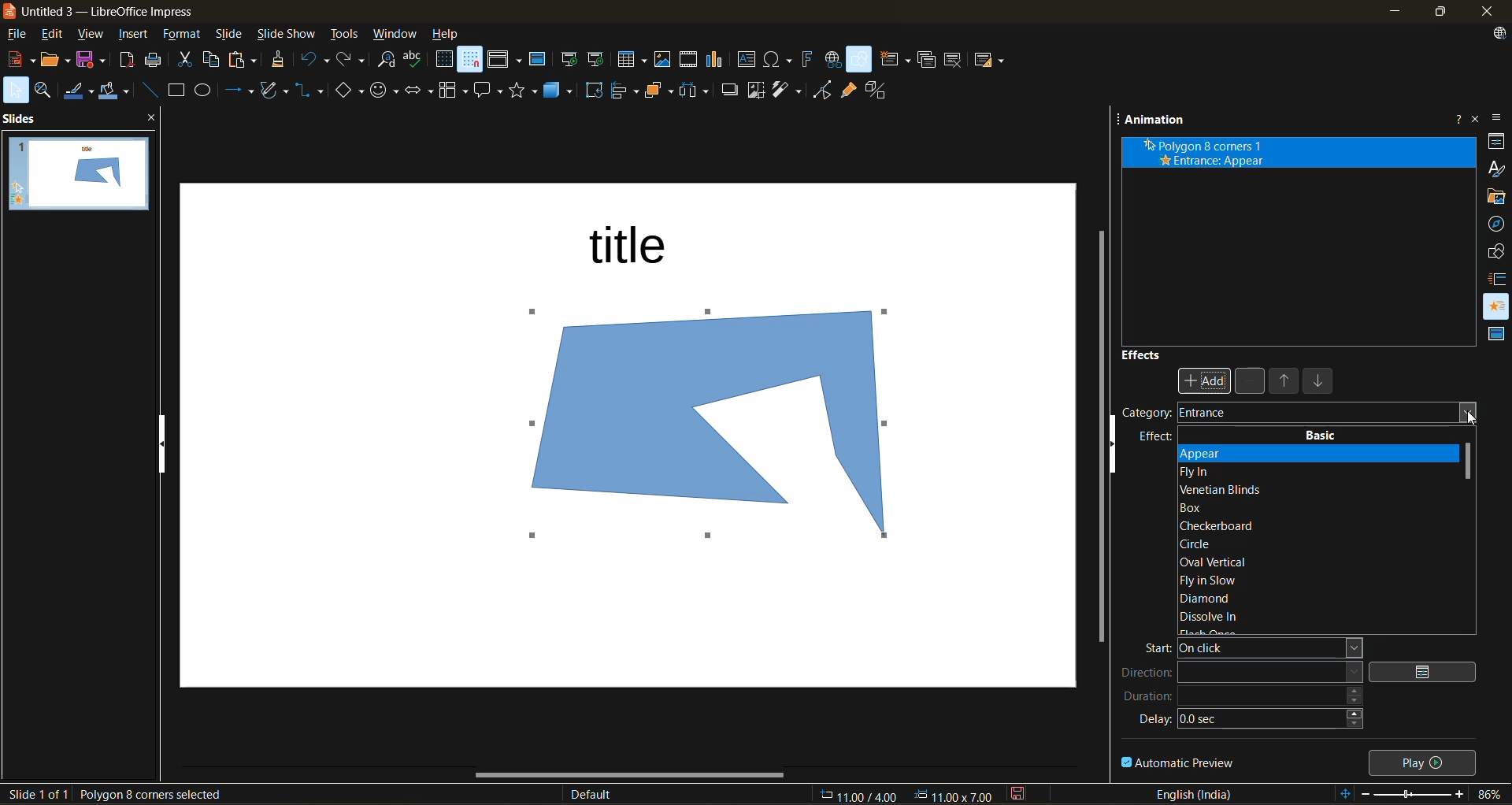  Describe the element at coordinates (1218, 579) in the screenshot. I see `fly in slow` at that location.